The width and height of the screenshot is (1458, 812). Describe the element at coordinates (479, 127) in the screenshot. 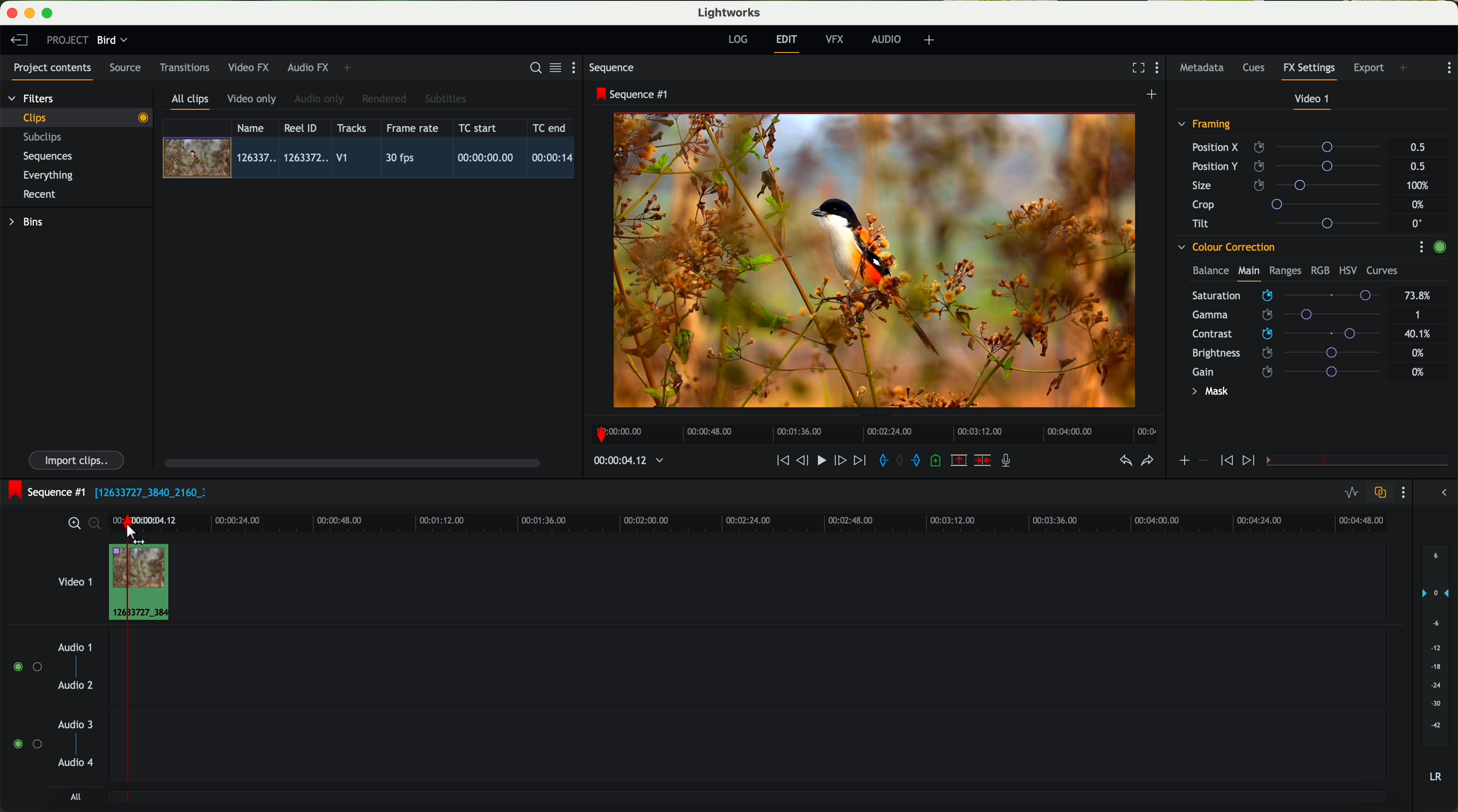

I see `TC start` at that location.